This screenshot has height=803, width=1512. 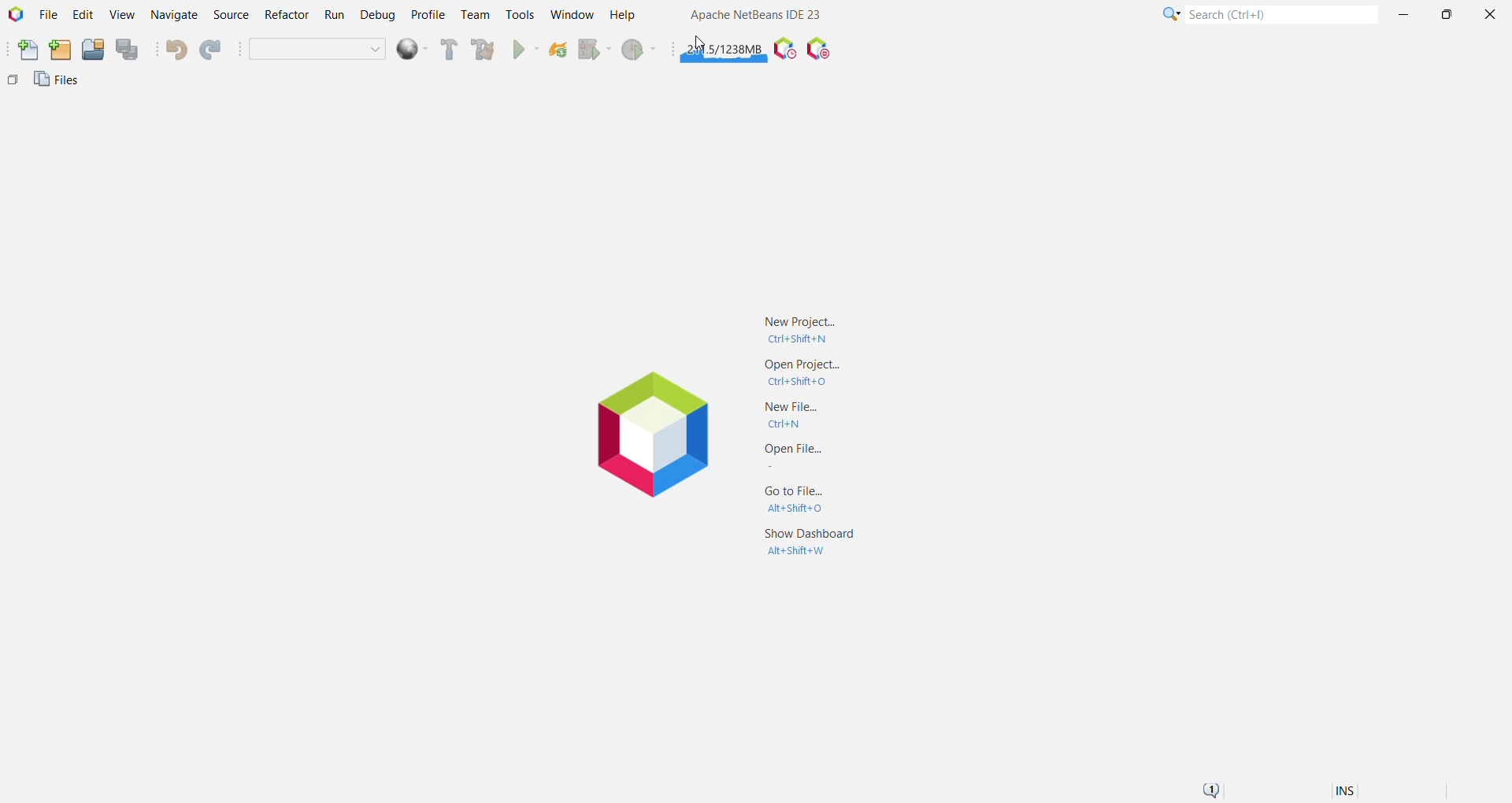 What do you see at coordinates (594, 50) in the screenshot?
I see `Debug Main Project` at bounding box center [594, 50].